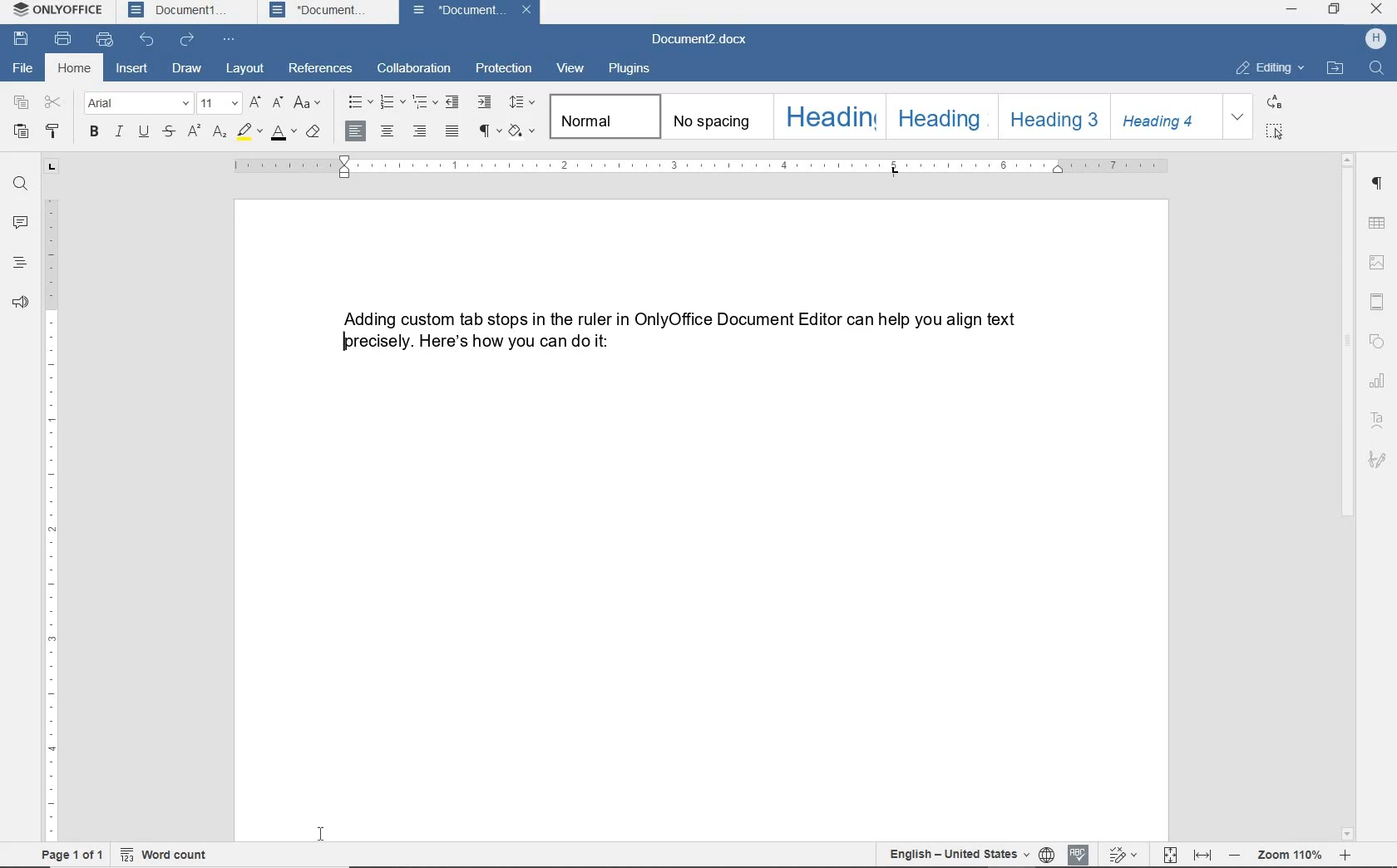 The height and width of the screenshot is (868, 1397). Describe the element at coordinates (679, 330) in the screenshot. I see `Adding custom tab stops in the ruler in OnlyOffice Document Editor can help you align text precisely. Here's how you can do it.` at that location.